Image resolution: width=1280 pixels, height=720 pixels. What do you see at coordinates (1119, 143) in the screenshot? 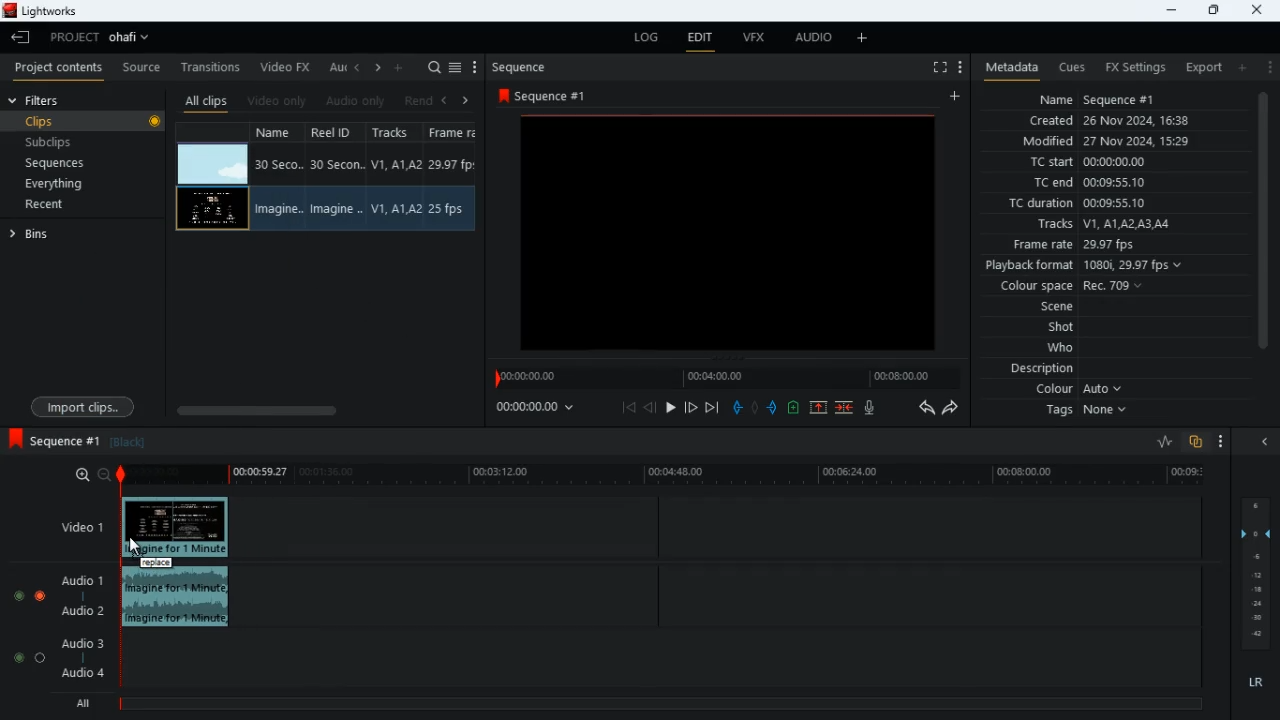
I see `modified` at bounding box center [1119, 143].